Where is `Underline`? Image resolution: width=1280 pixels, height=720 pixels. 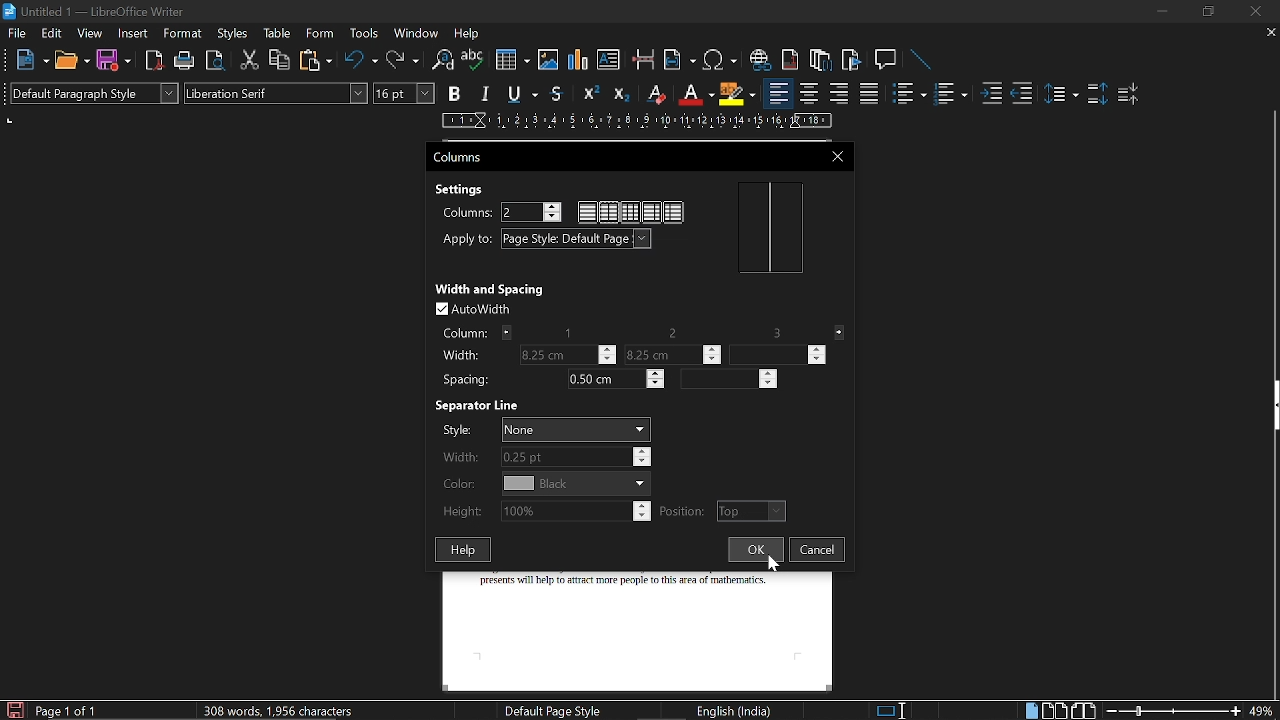 Underline is located at coordinates (524, 95).